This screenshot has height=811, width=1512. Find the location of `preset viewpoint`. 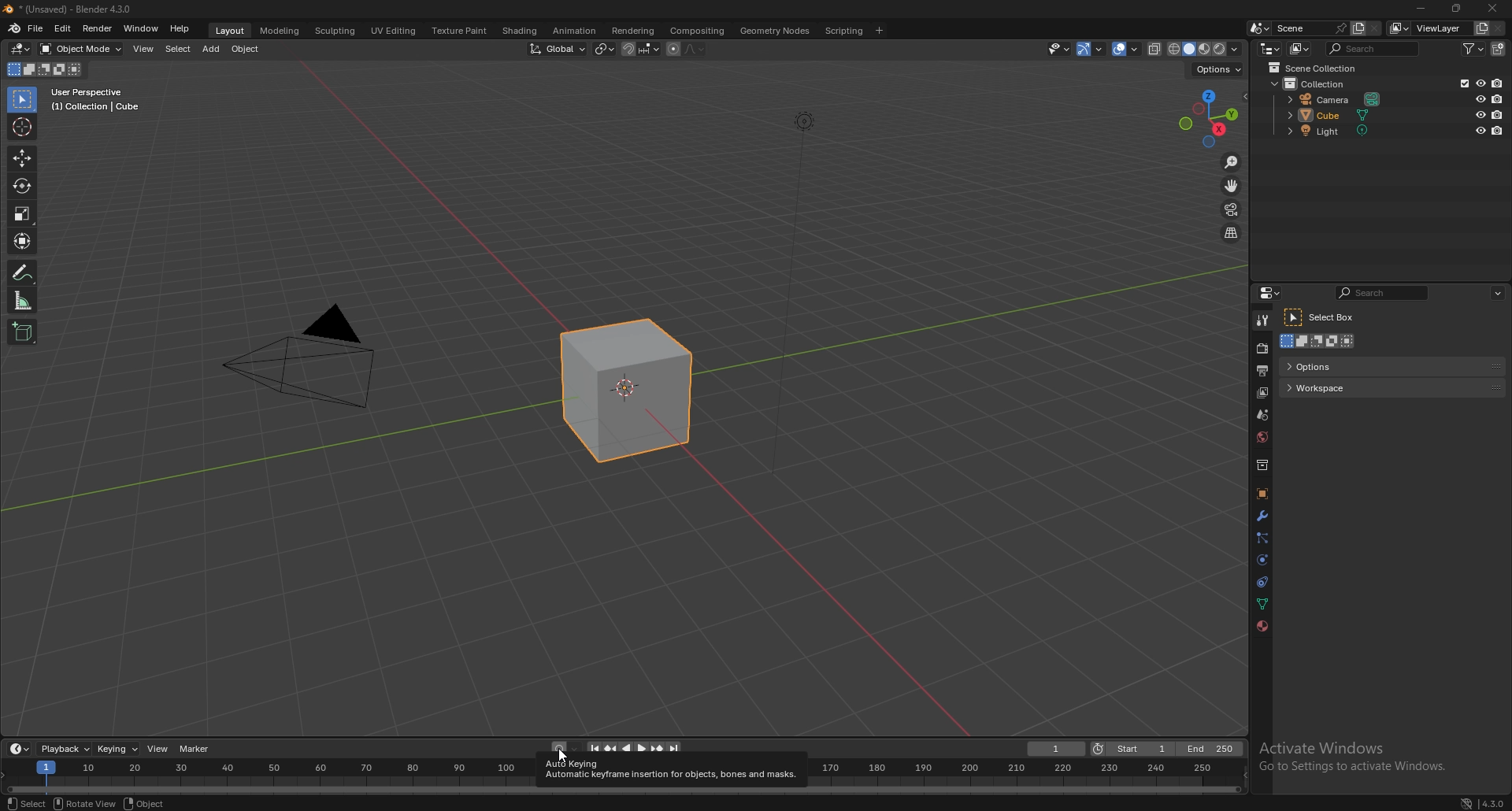

preset viewpoint is located at coordinates (1211, 117).